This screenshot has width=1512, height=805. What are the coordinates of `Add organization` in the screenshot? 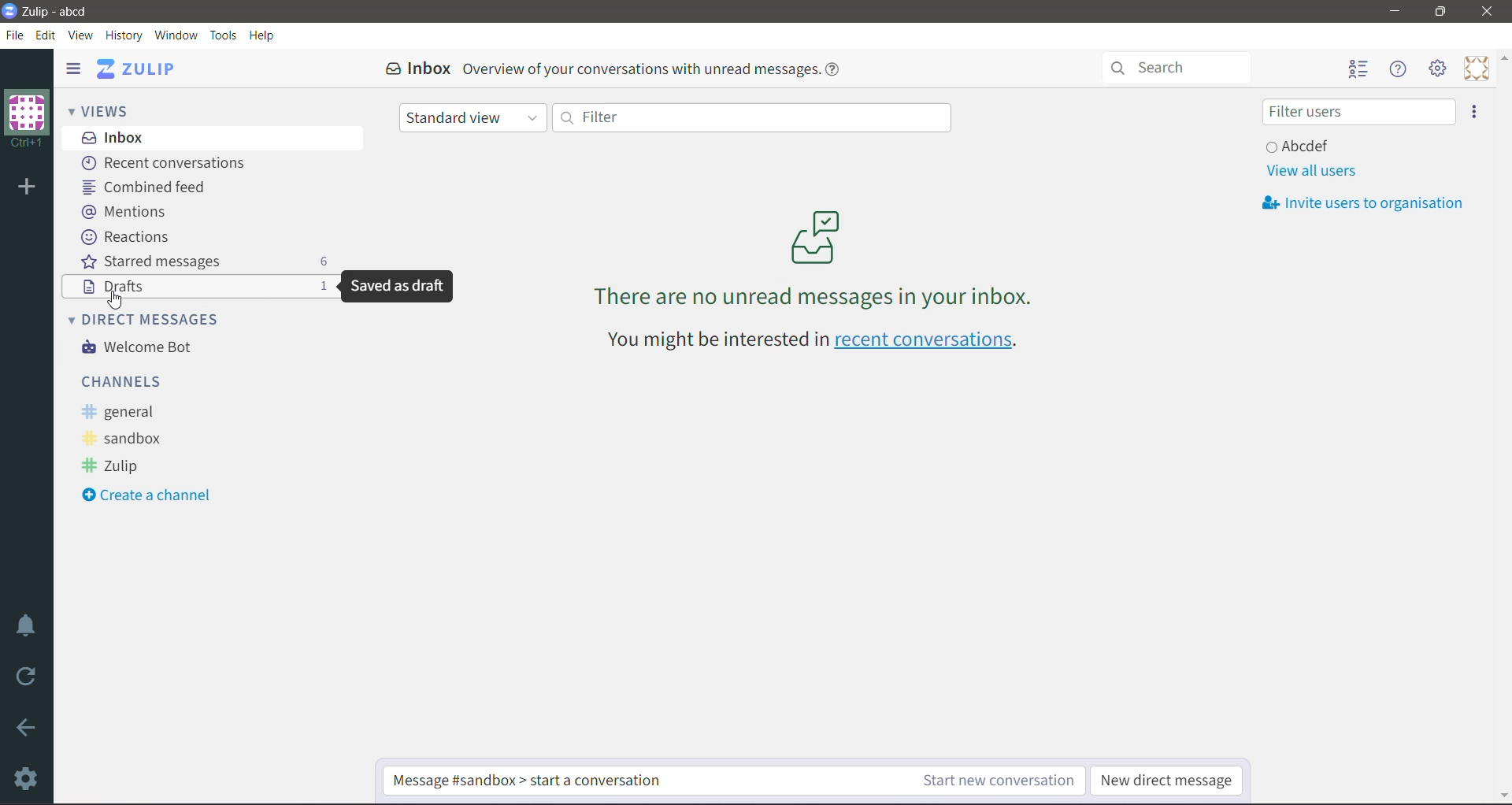 It's located at (25, 188).